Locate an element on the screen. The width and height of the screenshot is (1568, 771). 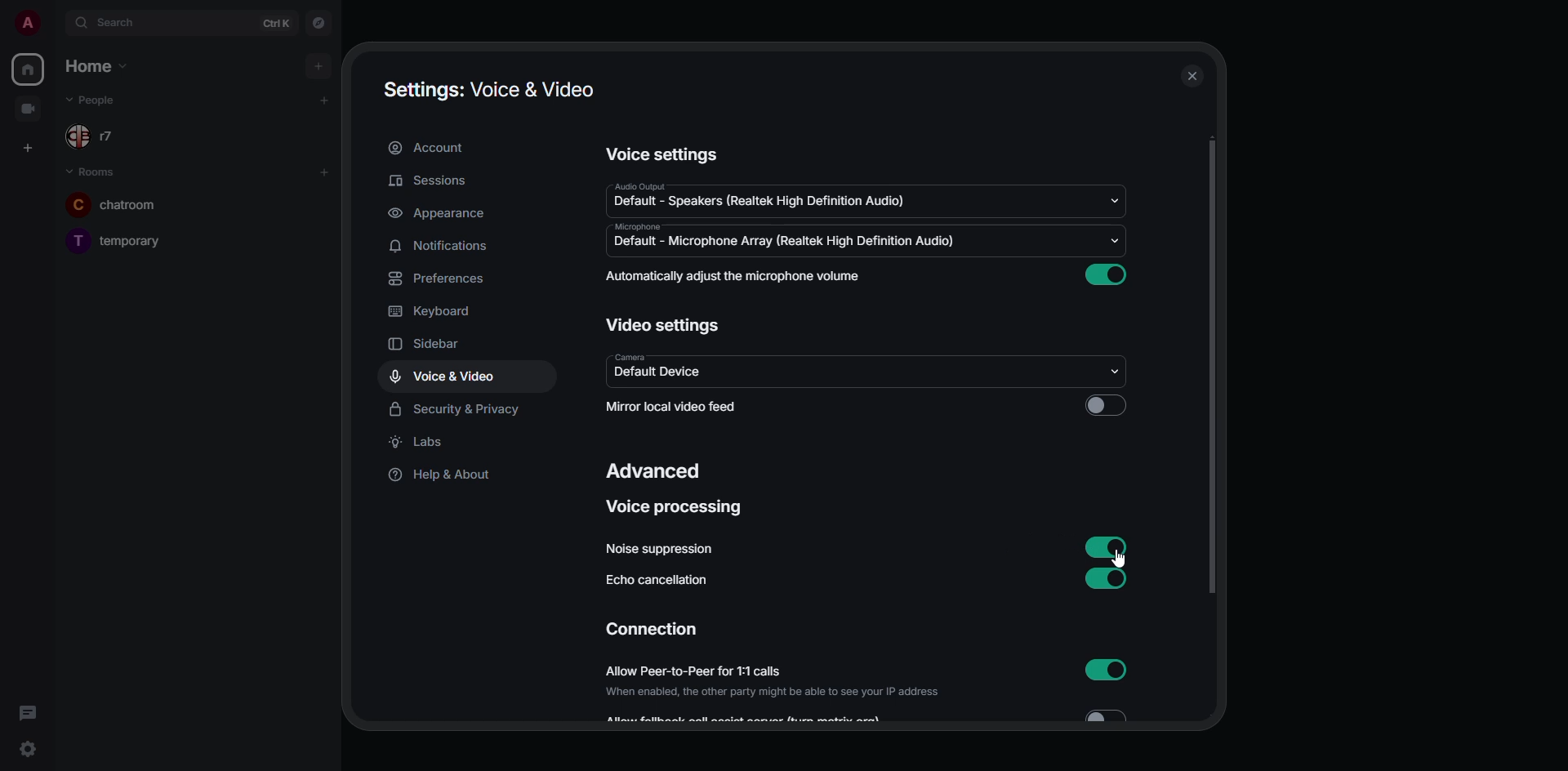
expand is located at coordinates (59, 23).